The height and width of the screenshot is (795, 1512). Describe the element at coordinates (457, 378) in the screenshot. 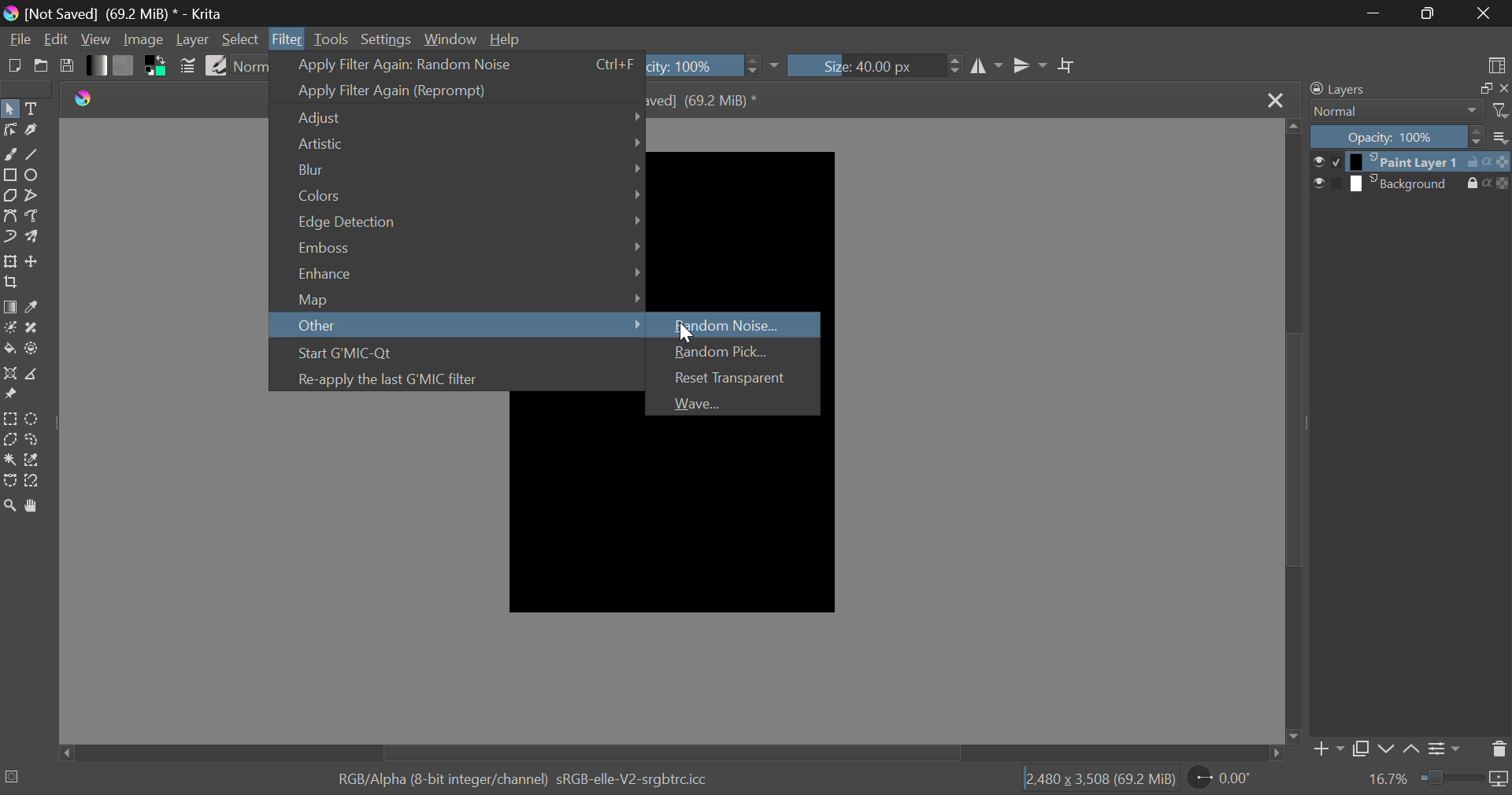

I see `Re-apply the last GMIC filter` at that location.